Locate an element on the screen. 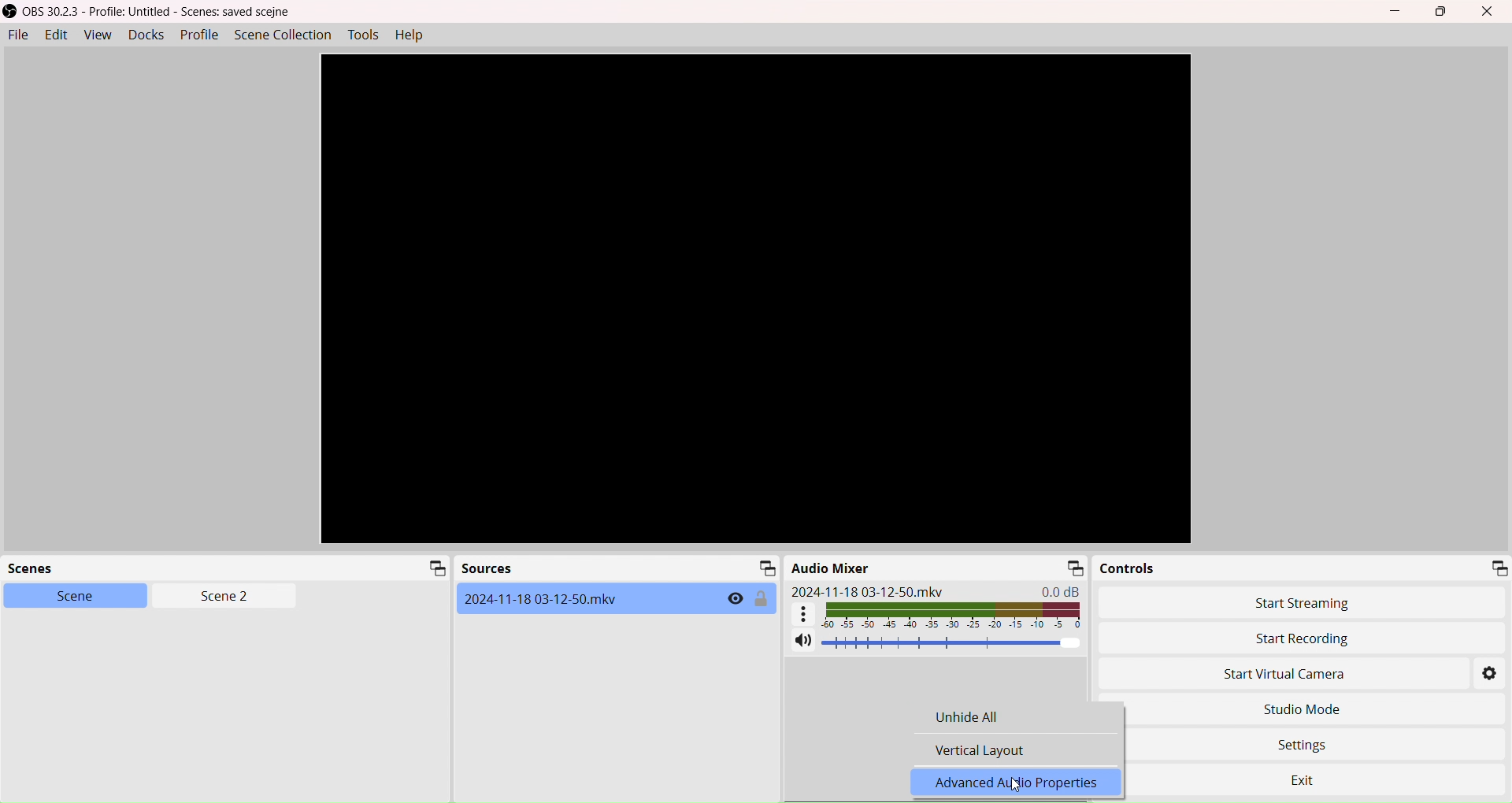  Docks is located at coordinates (144, 34).